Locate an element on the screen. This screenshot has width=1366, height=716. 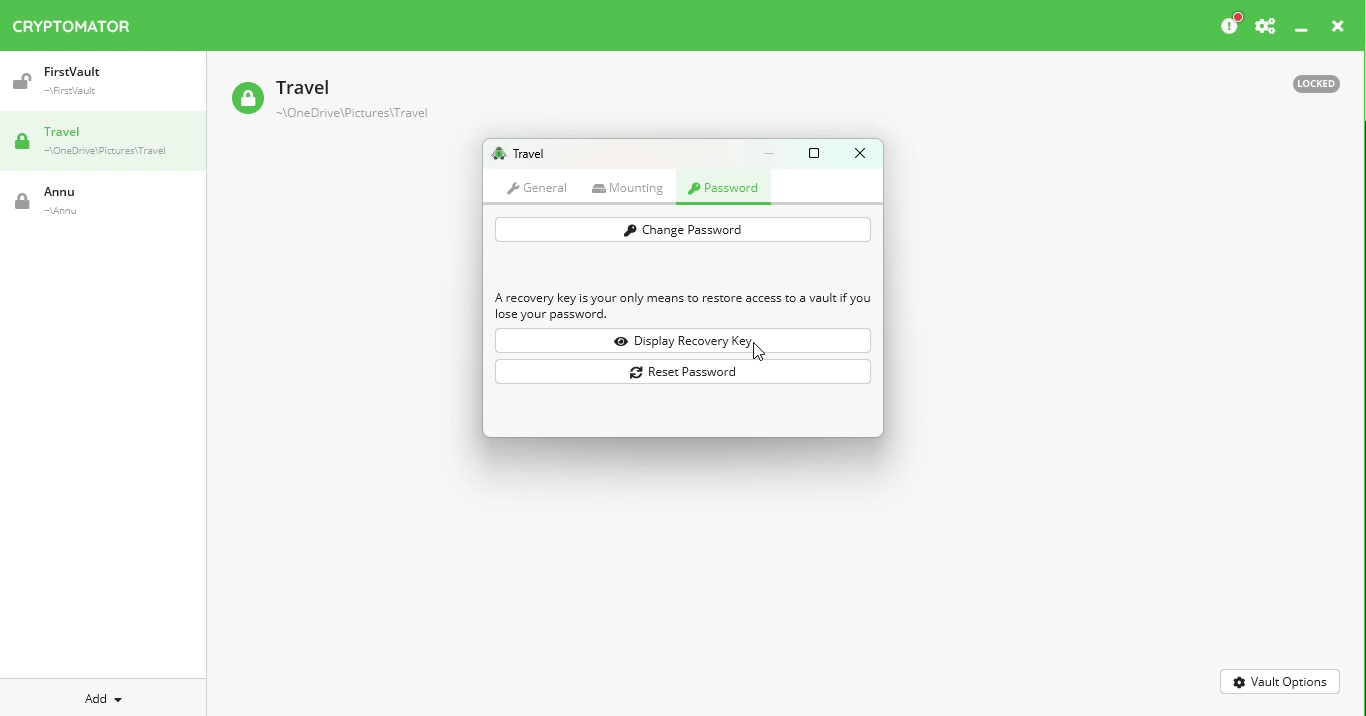
Change password is located at coordinates (682, 230).